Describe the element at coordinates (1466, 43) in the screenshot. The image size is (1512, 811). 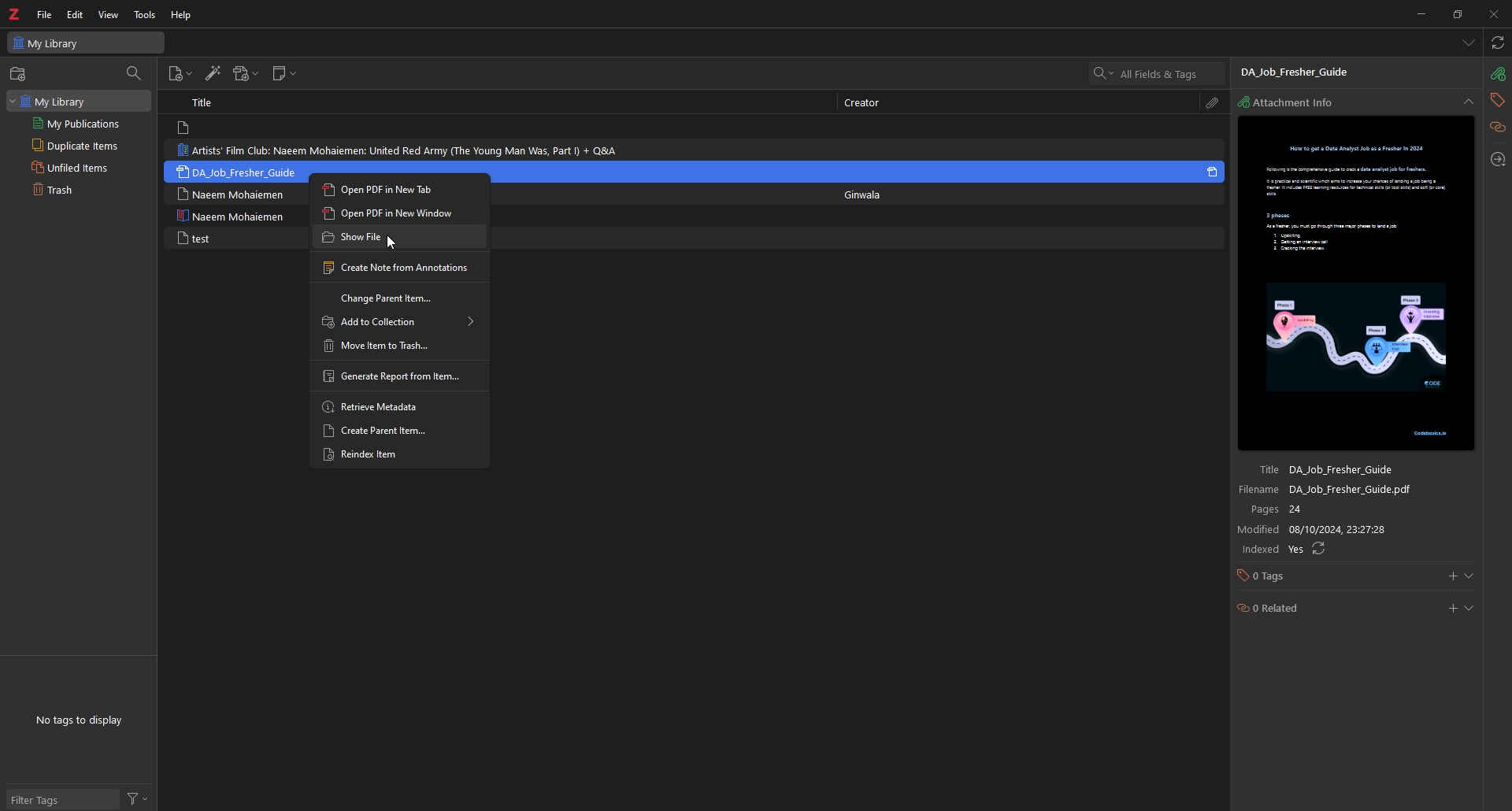
I see `list all tabs` at that location.